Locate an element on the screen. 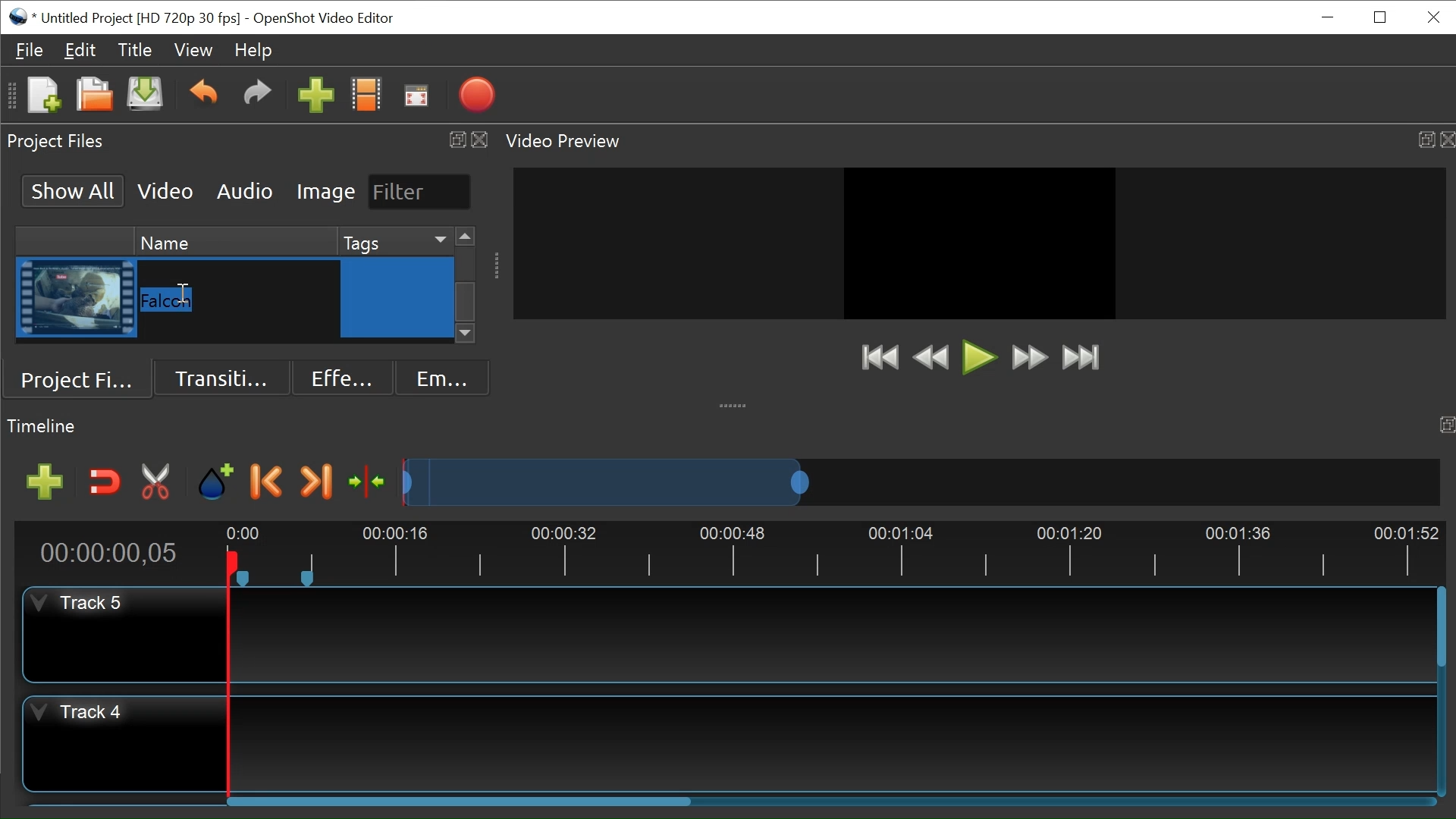 The height and width of the screenshot is (819, 1456). Zoom Slider is located at coordinates (915, 480).